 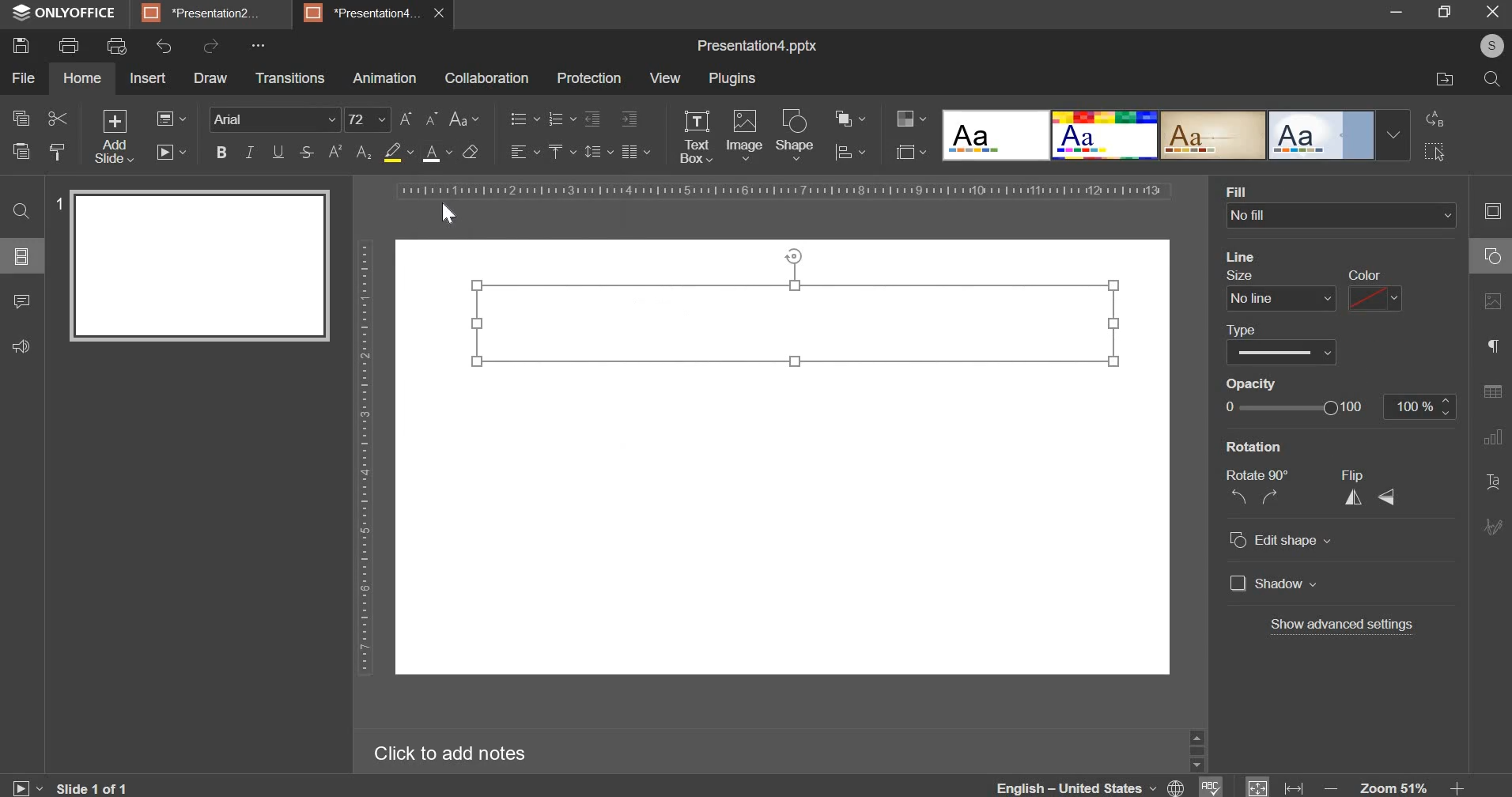 What do you see at coordinates (592, 119) in the screenshot?
I see `decrease indent` at bounding box center [592, 119].